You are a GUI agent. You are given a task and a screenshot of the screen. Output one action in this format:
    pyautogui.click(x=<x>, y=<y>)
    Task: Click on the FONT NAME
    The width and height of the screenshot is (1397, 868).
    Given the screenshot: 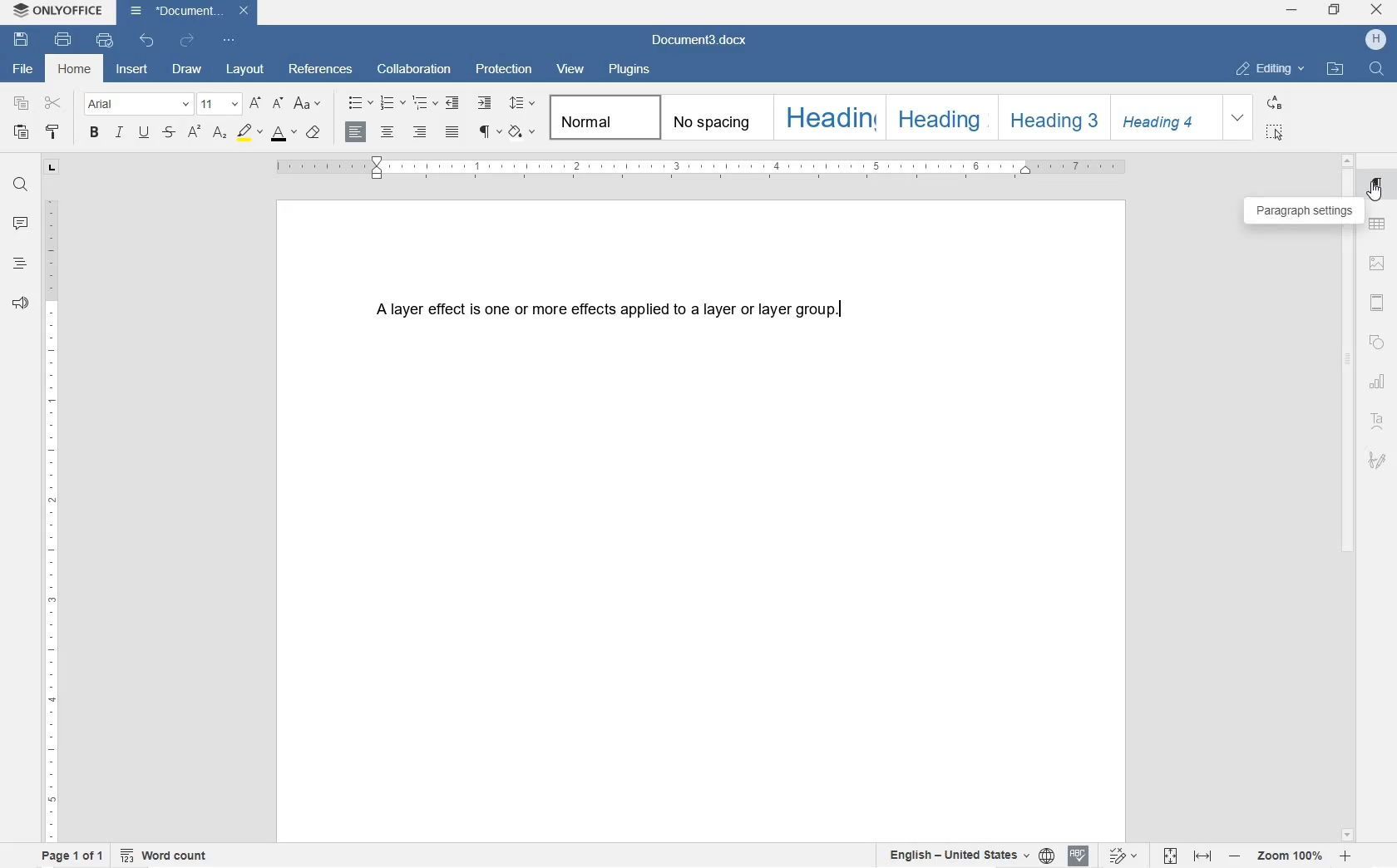 What is the action you would take?
    pyautogui.click(x=136, y=106)
    